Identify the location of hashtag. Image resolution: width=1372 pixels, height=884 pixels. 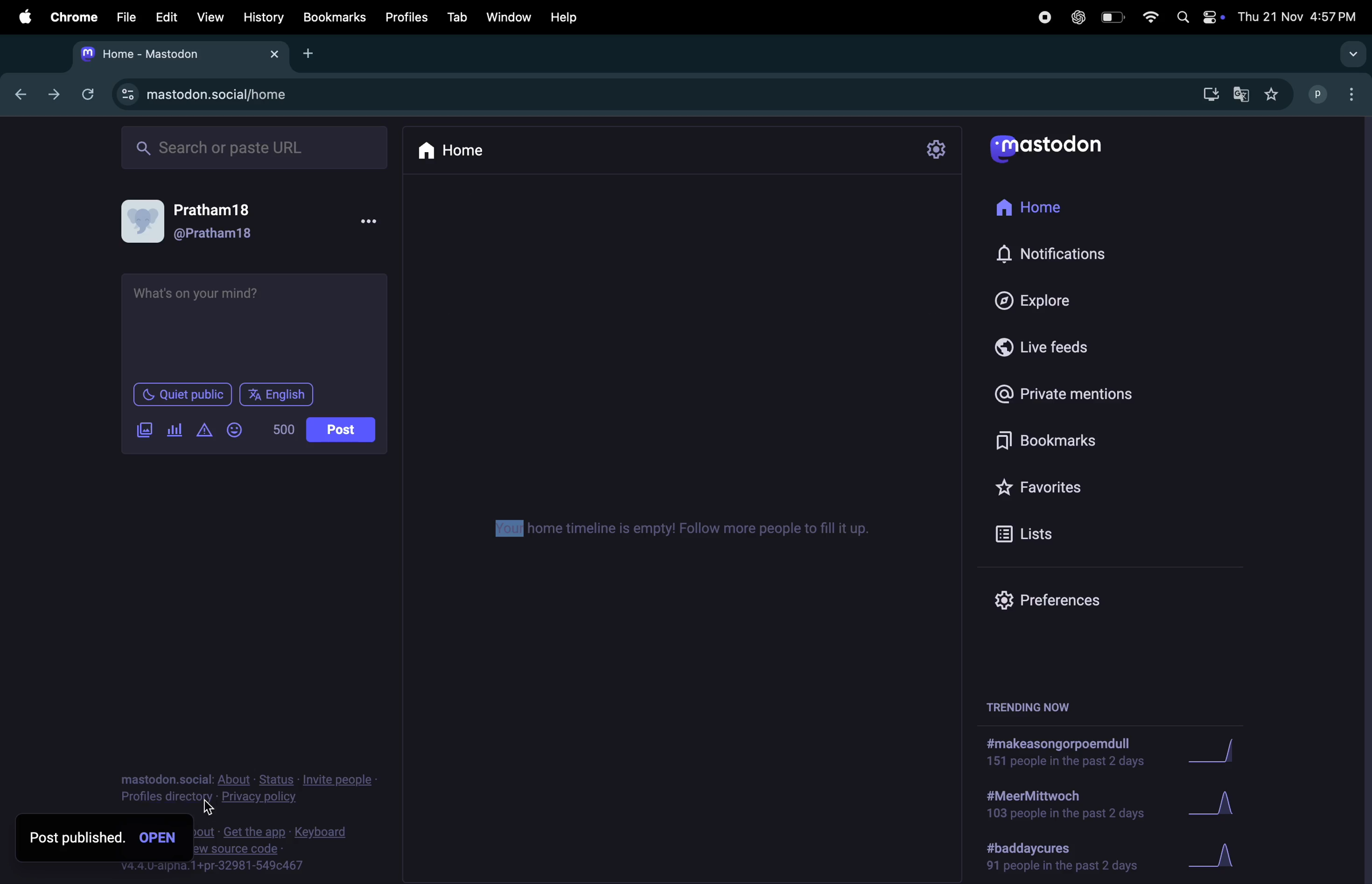
(1066, 858).